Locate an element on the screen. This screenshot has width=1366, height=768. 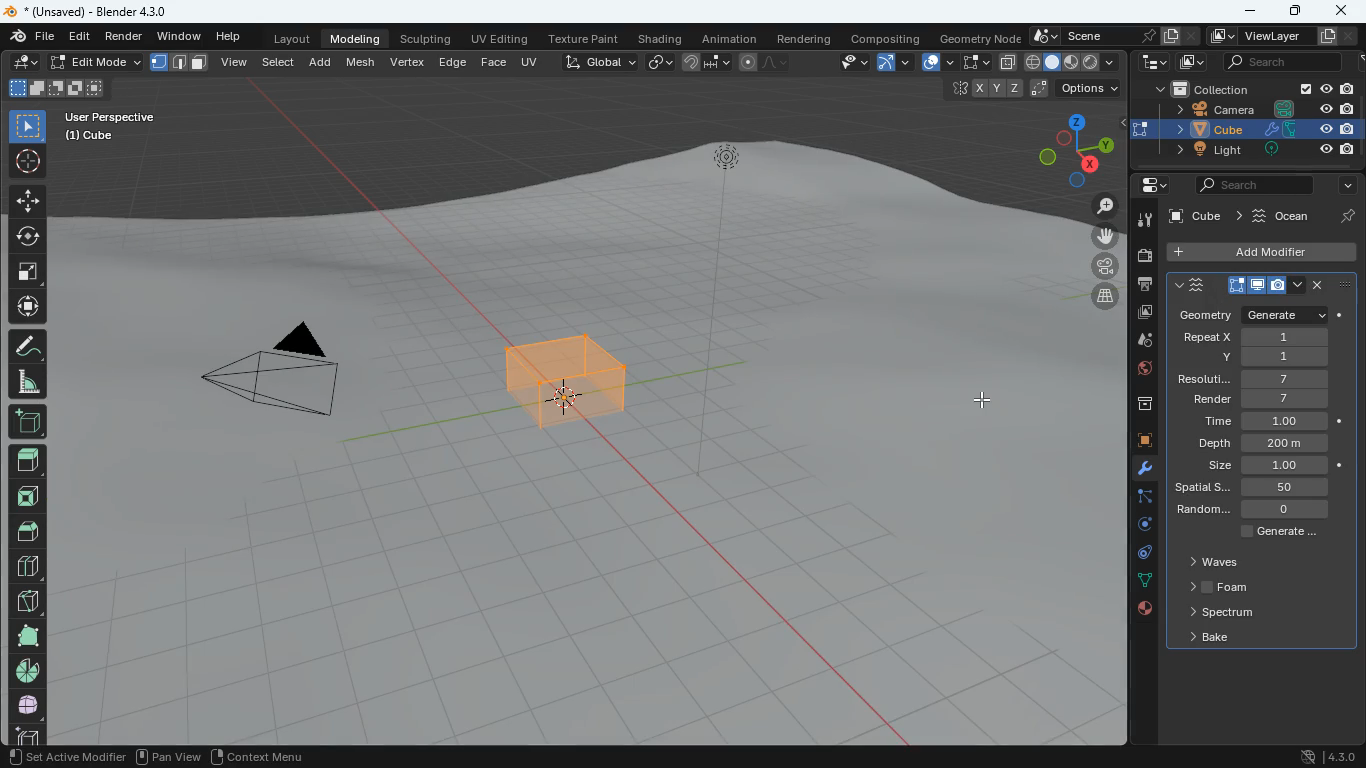
image is located at coordinates (1138, 315).